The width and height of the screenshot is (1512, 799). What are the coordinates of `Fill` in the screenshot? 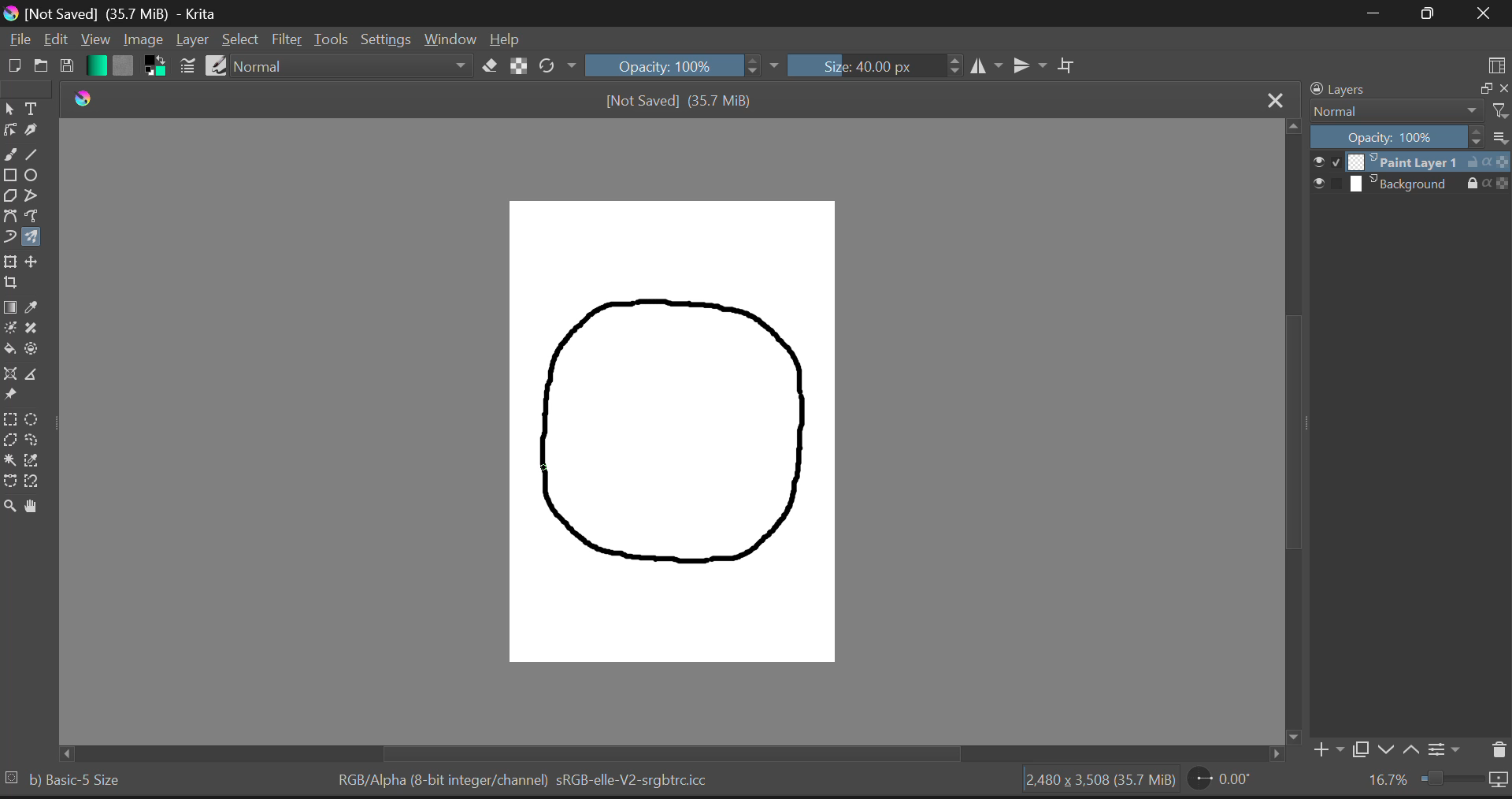 It's located at (9, 347).